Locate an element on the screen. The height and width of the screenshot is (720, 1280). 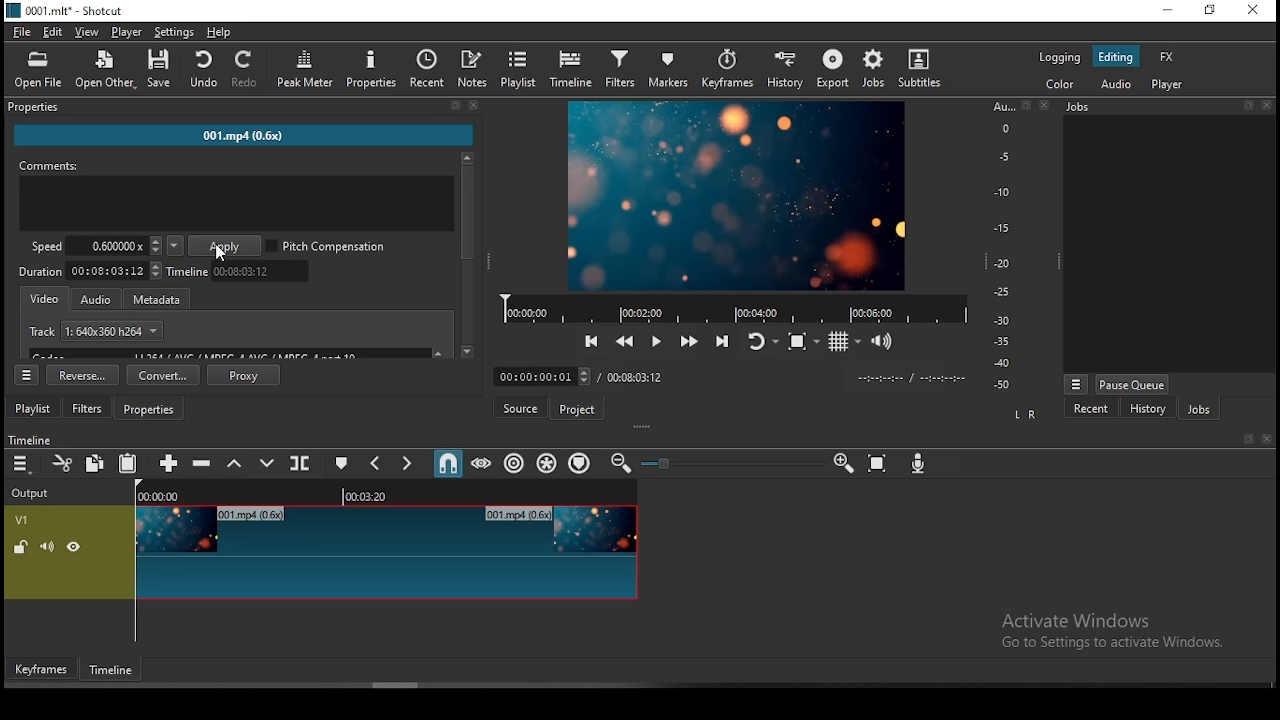
zoom in or zoom out slider is located at coordinates (727, 462).